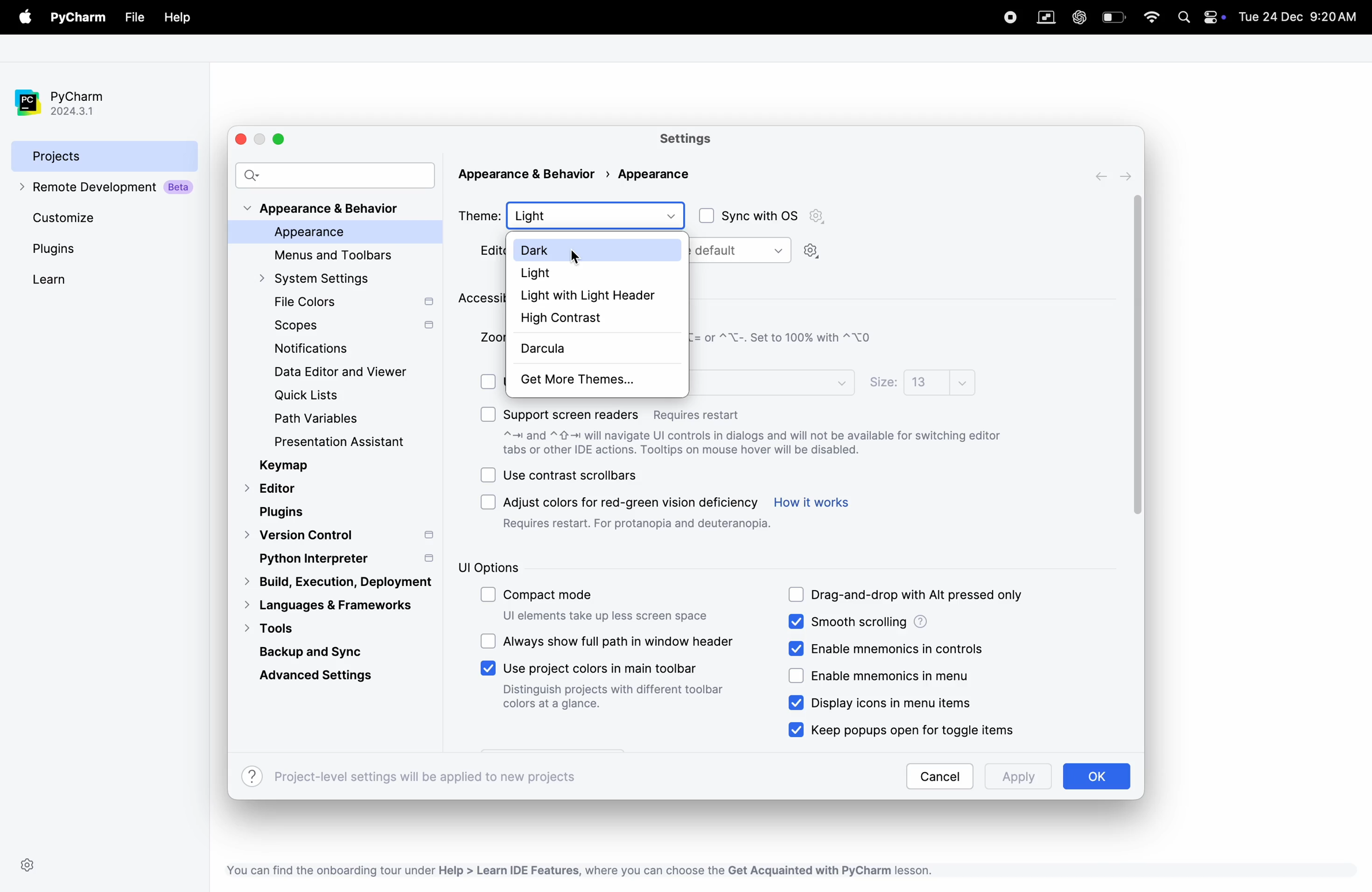 Image resolution: width=1372 pixels, height=892 pixels. What do you see at coordinates (797, 676) in the screenshot?
I see `checkbox` at bounding box center [797, 676].